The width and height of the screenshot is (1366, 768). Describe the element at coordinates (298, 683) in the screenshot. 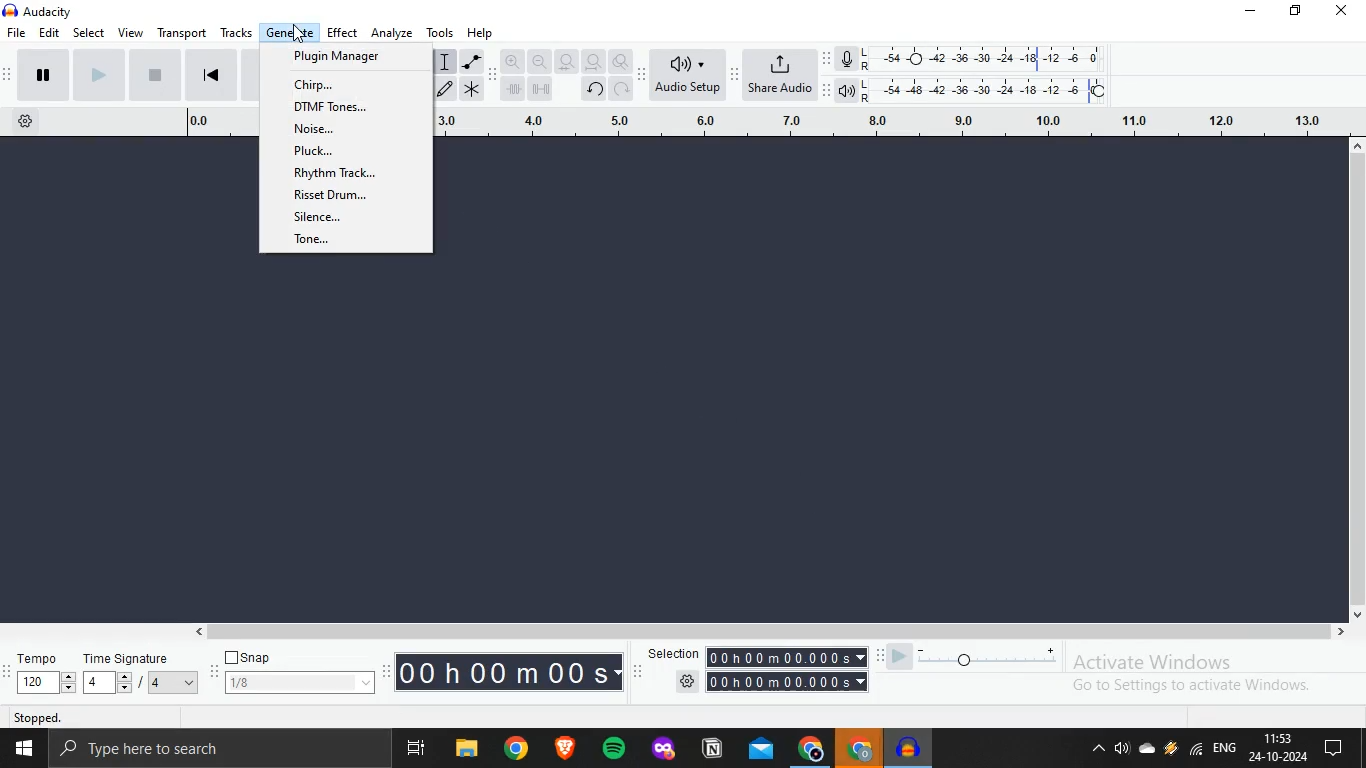

I see `1/8` at that location.